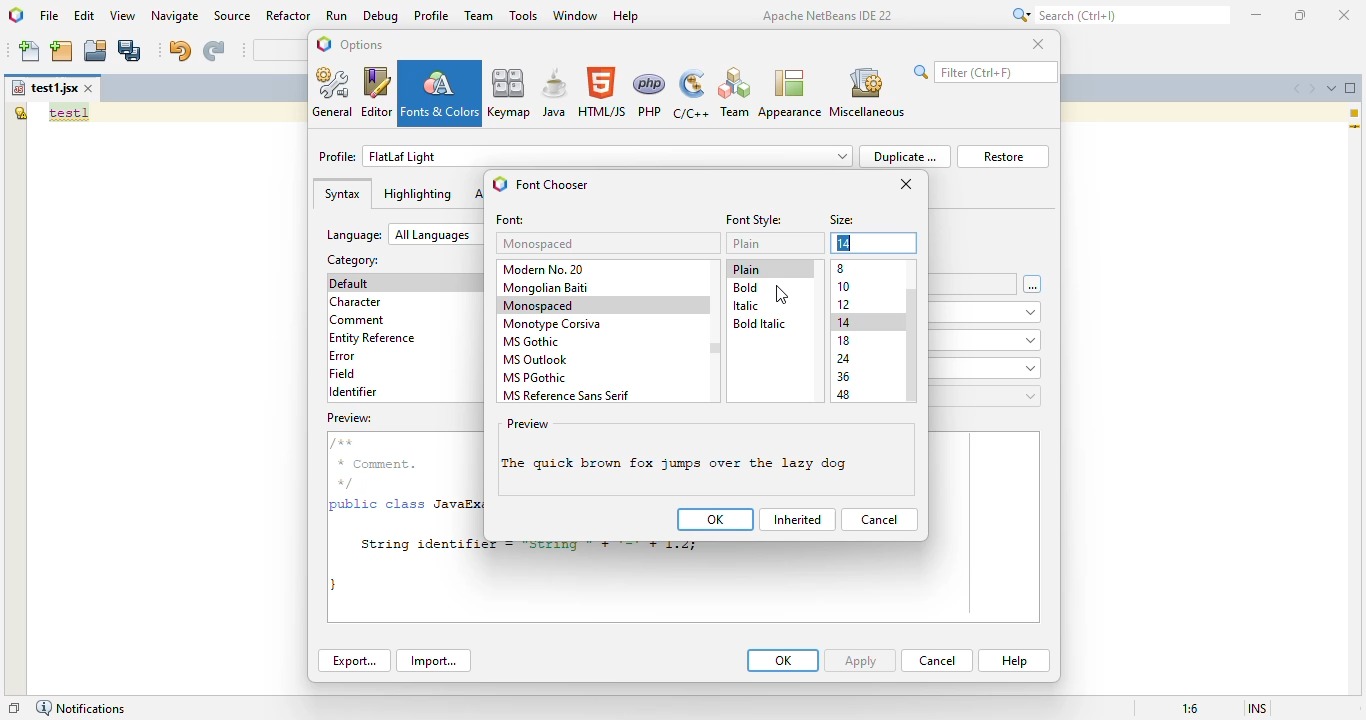  What do you see at coordinates (1332, 87) in the screenshot?
I see `show opened documents list` at bounding box center [1332, 87].